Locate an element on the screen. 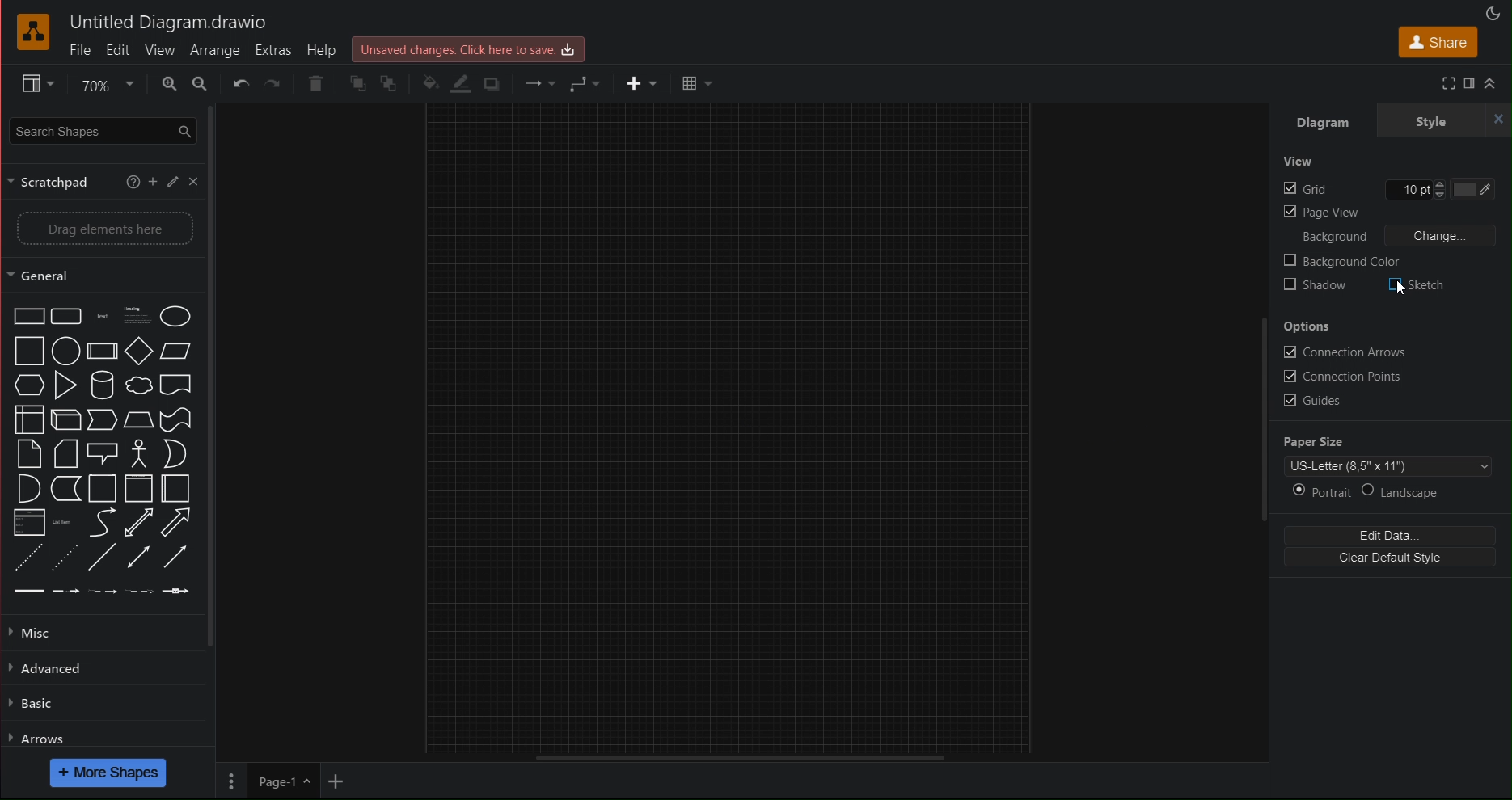 This screenshot has height=800, width=1512. connector with label is located at coordinates (64, 594).